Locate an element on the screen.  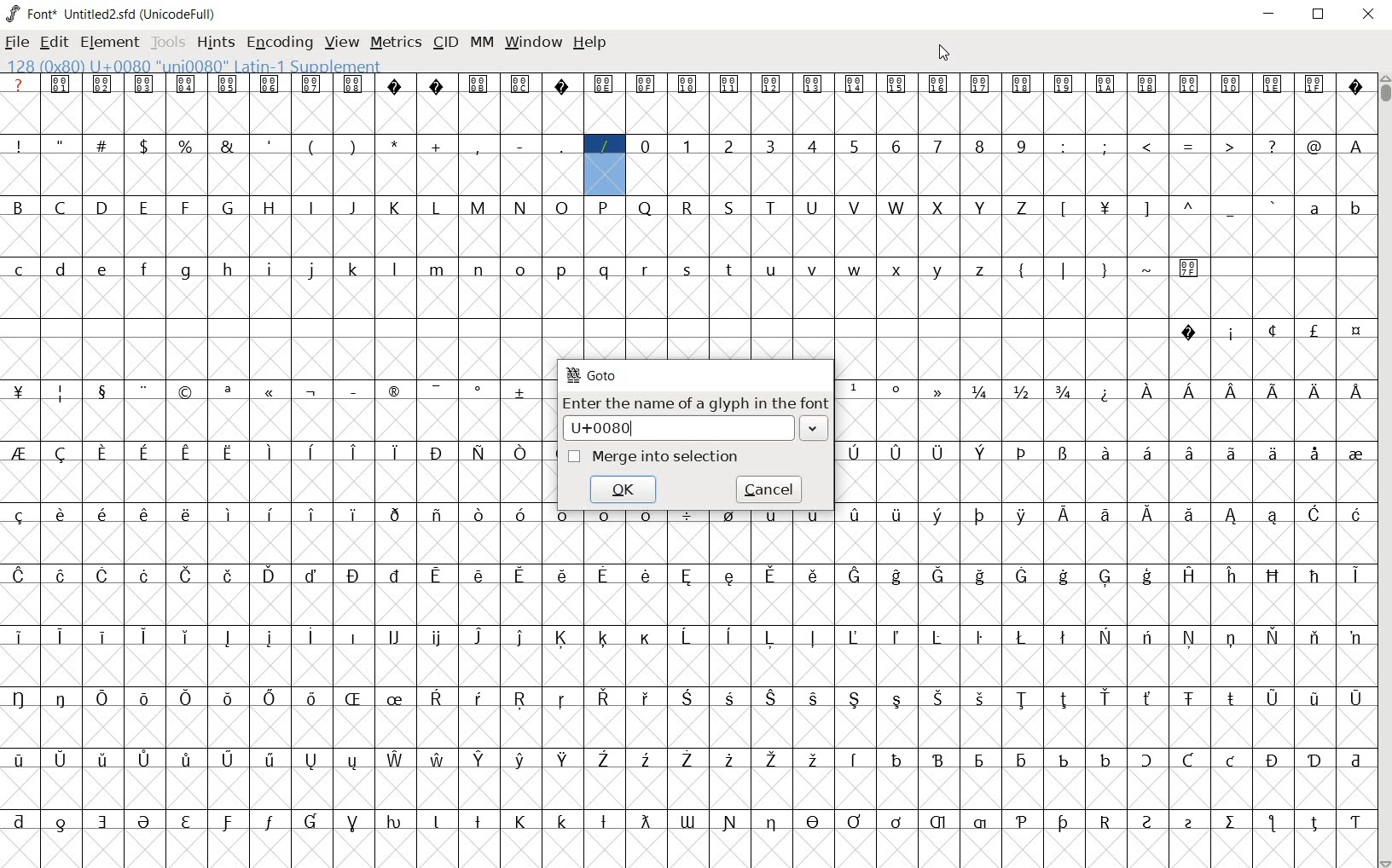
glyph is located at coordinates (1064, 85).